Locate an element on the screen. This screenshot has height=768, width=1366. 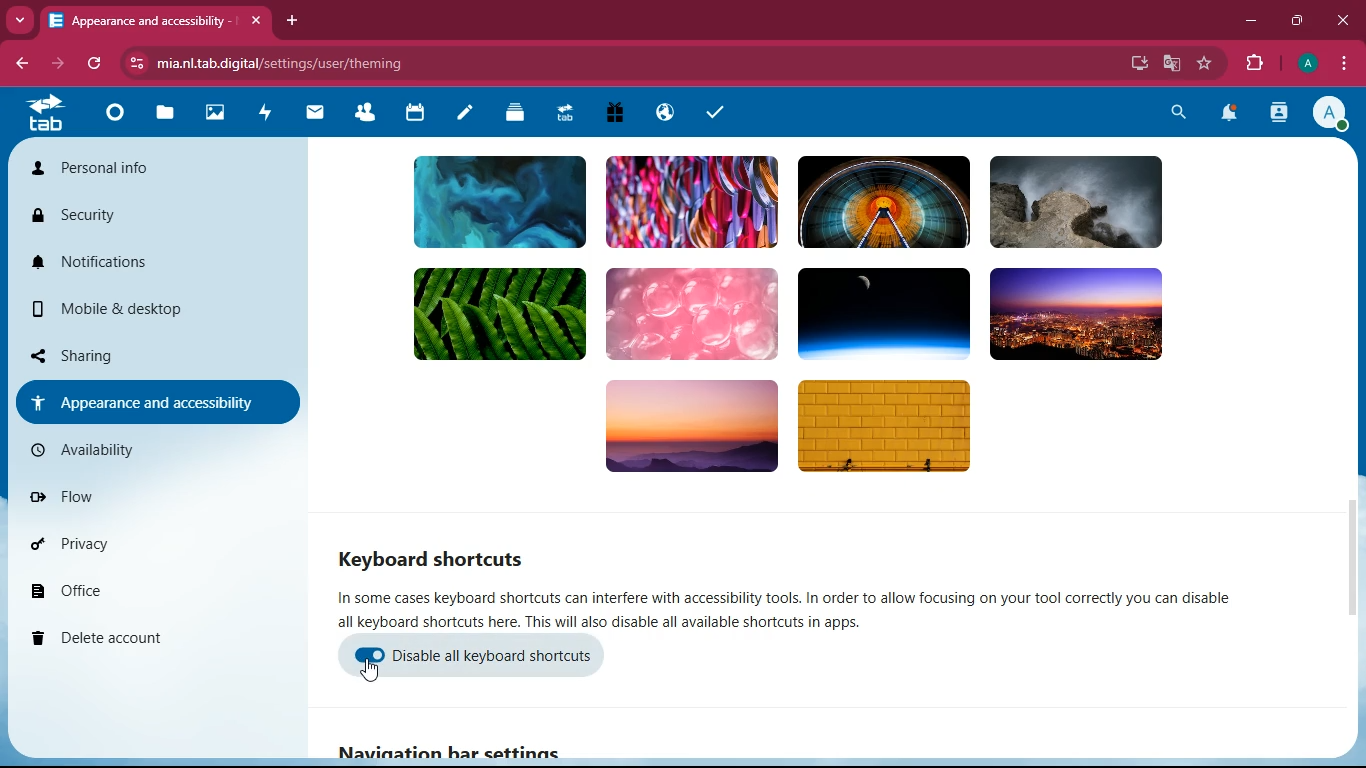
add tab is located at coordinates (292, 21).